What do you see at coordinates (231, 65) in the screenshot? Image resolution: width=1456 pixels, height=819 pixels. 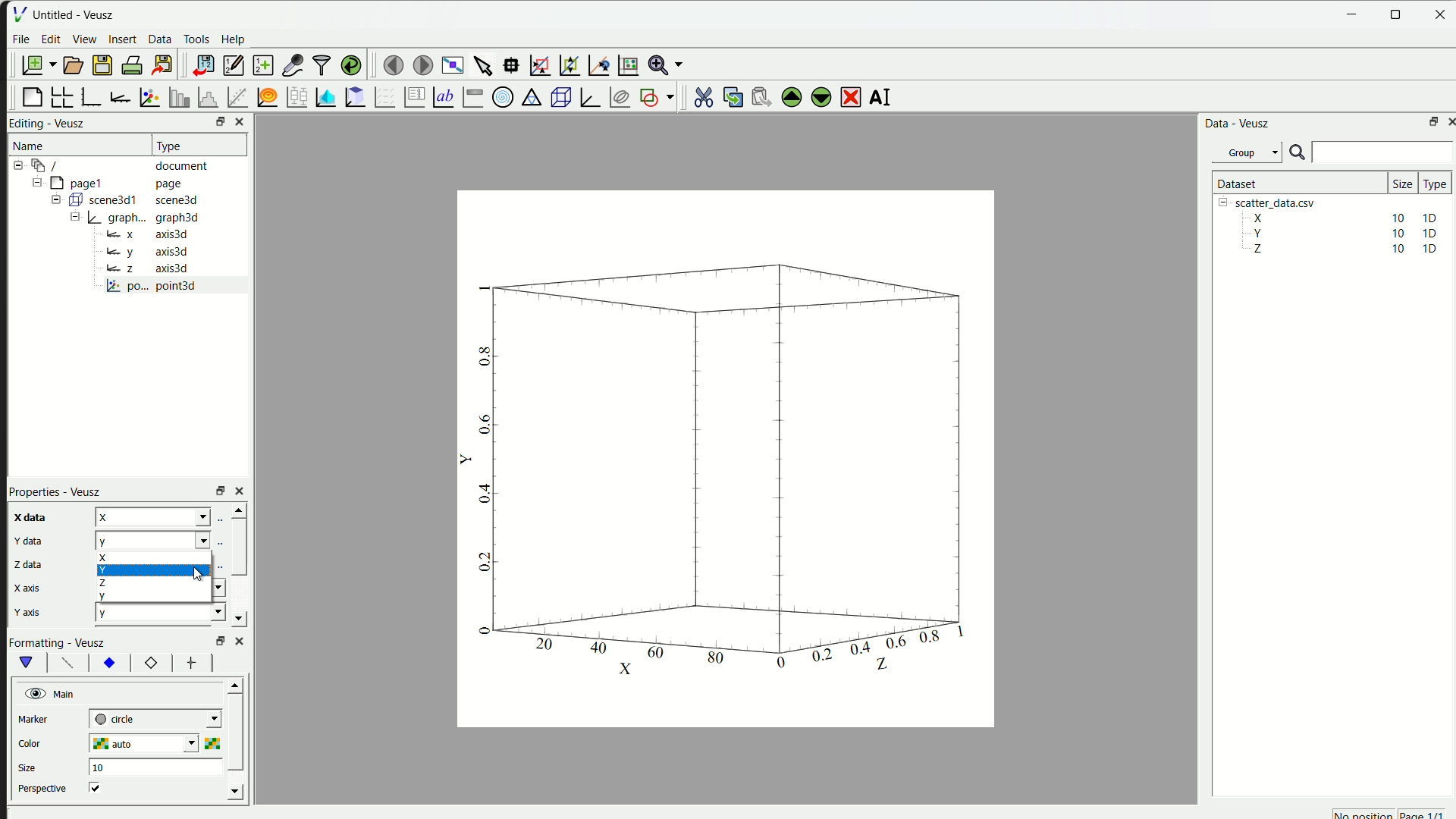 I see `editor` at bounding box center [231, 65].